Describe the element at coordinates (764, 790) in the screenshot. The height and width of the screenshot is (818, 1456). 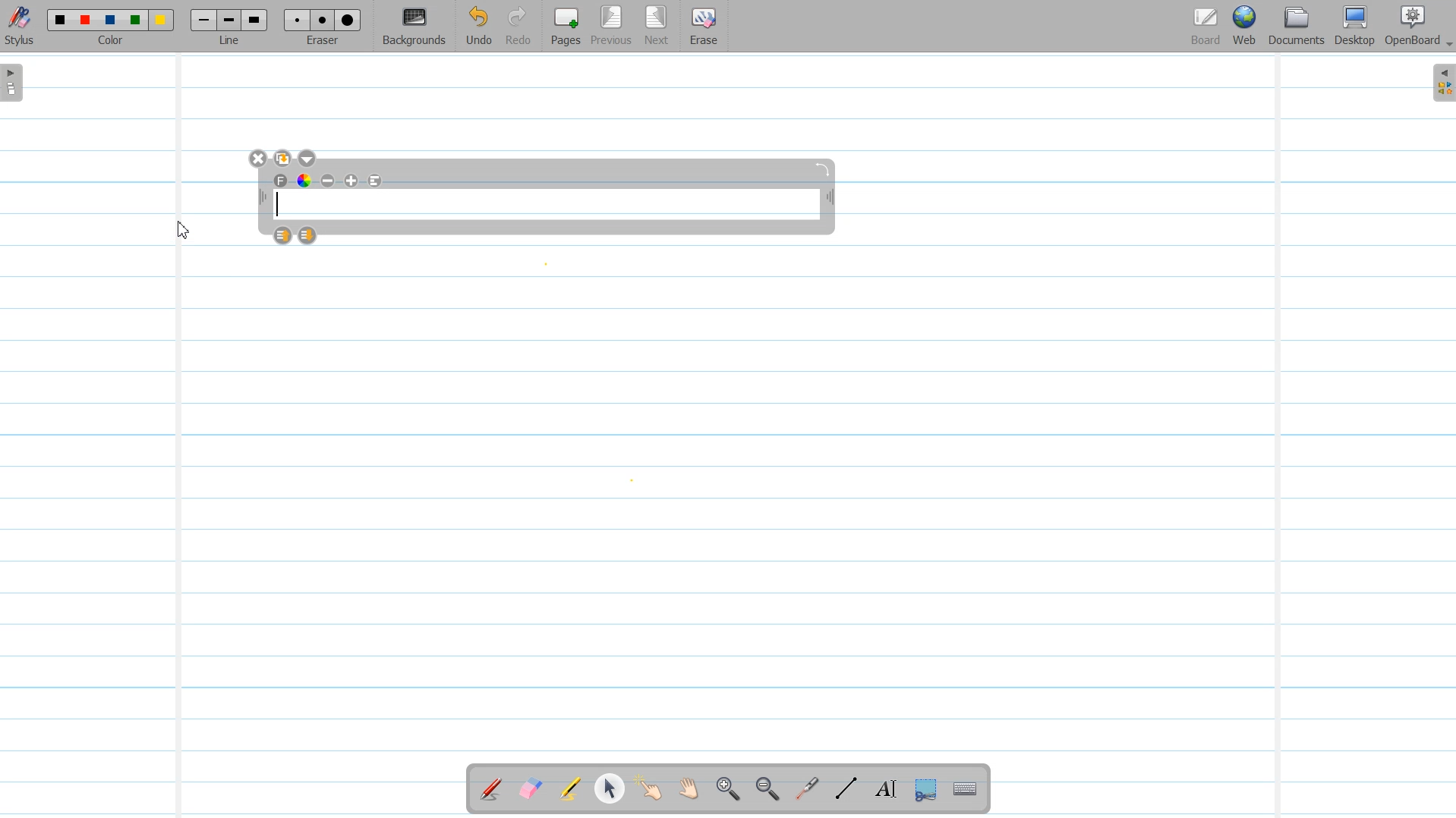
I see `Zoom Out` at that location.